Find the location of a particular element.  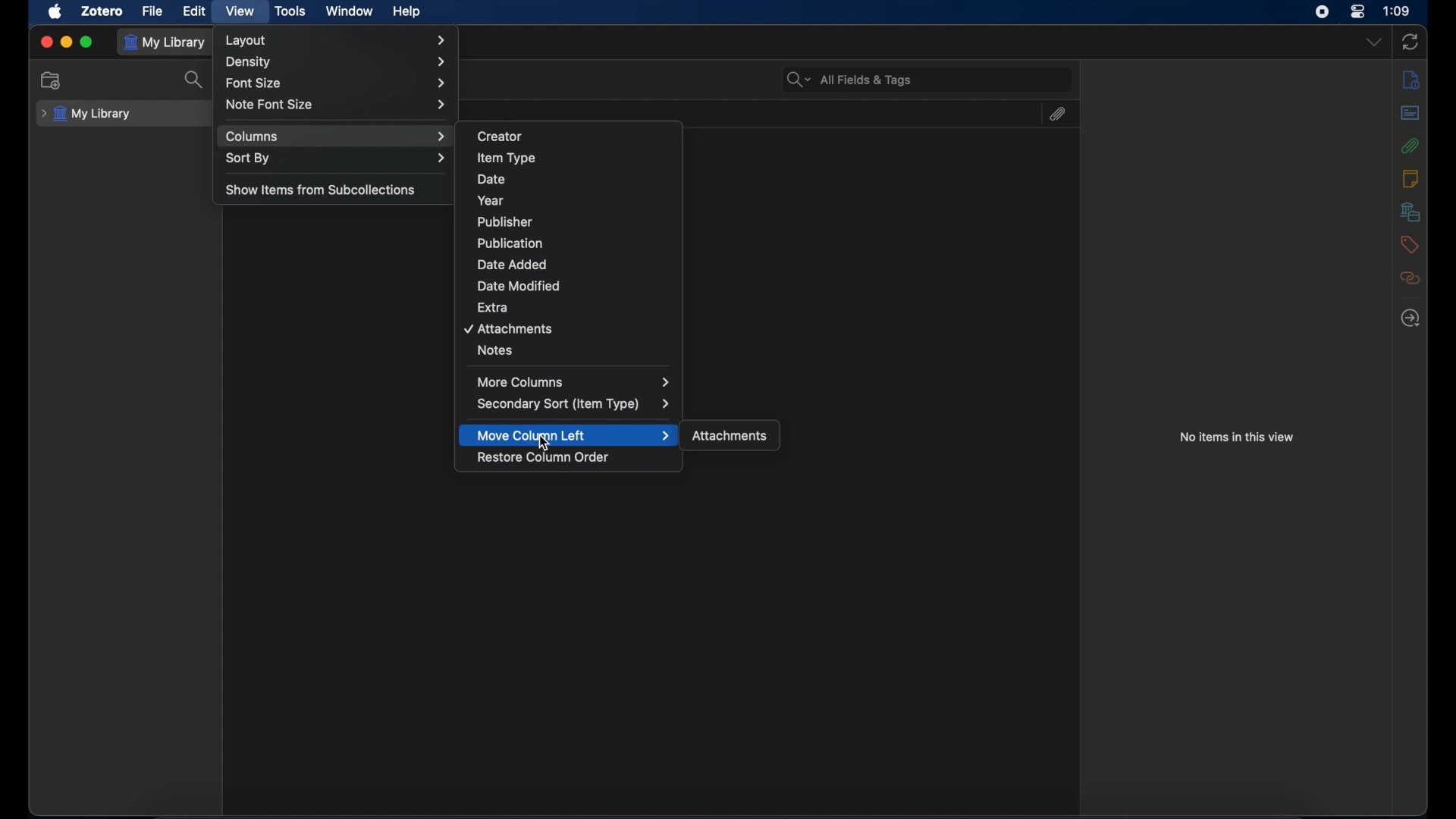

abstract is located at coordinates (1411, 113).